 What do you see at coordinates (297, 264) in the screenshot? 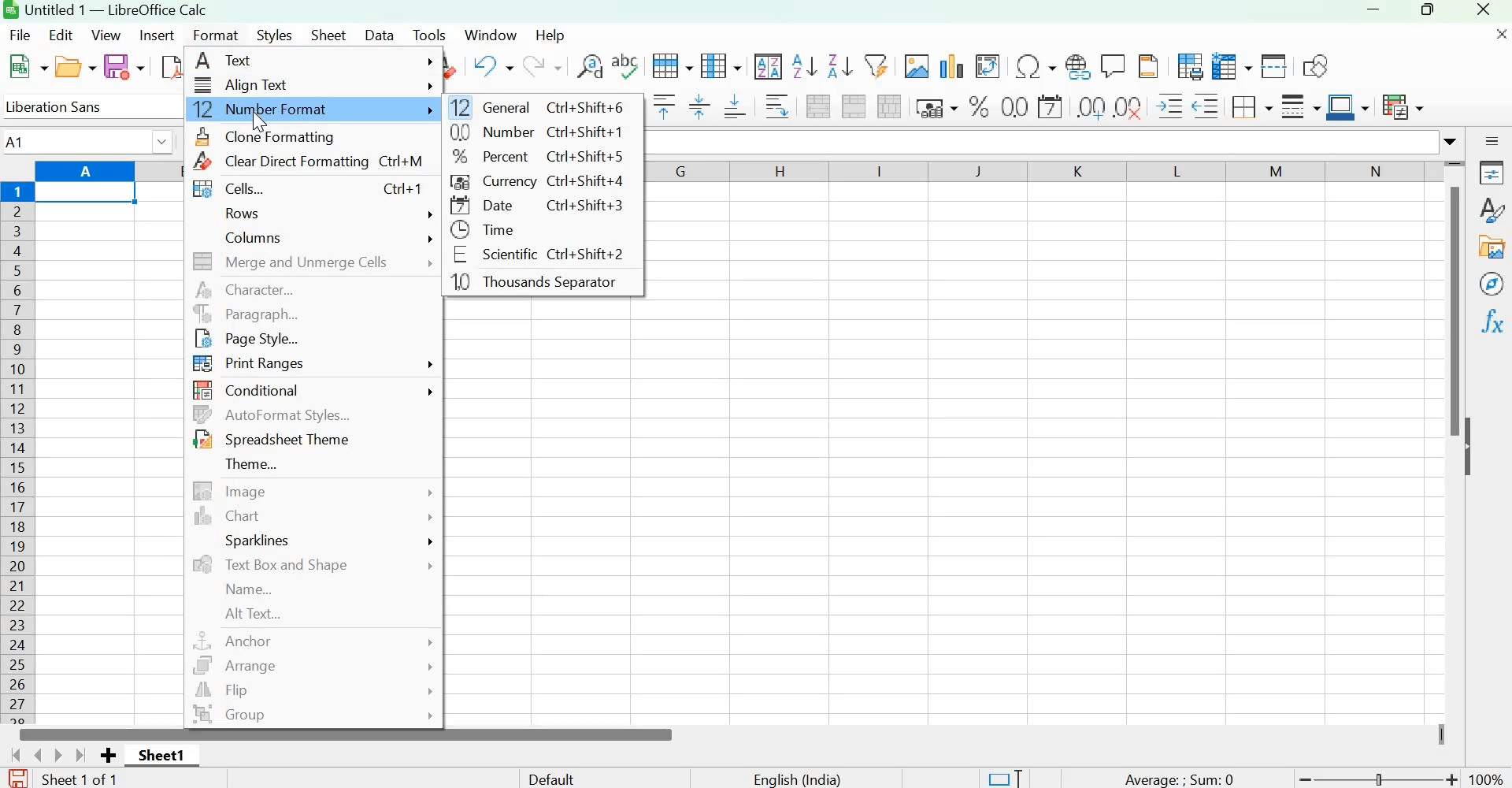
I see `Merge and unmerge cells` at bounding box center [297, 264].